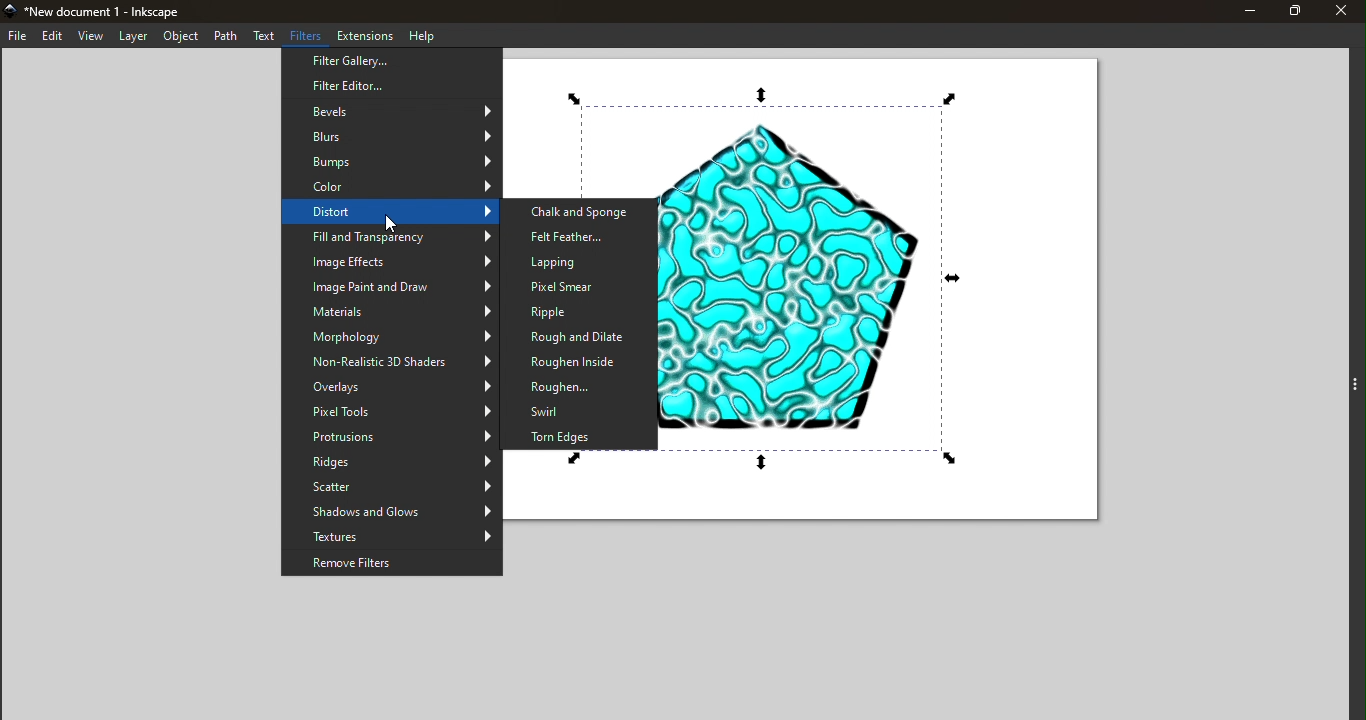  What do you see at coordinates (1342, 375) in the screenshot?
I see `Toggle command panel` at bounding box center [1342, 375].